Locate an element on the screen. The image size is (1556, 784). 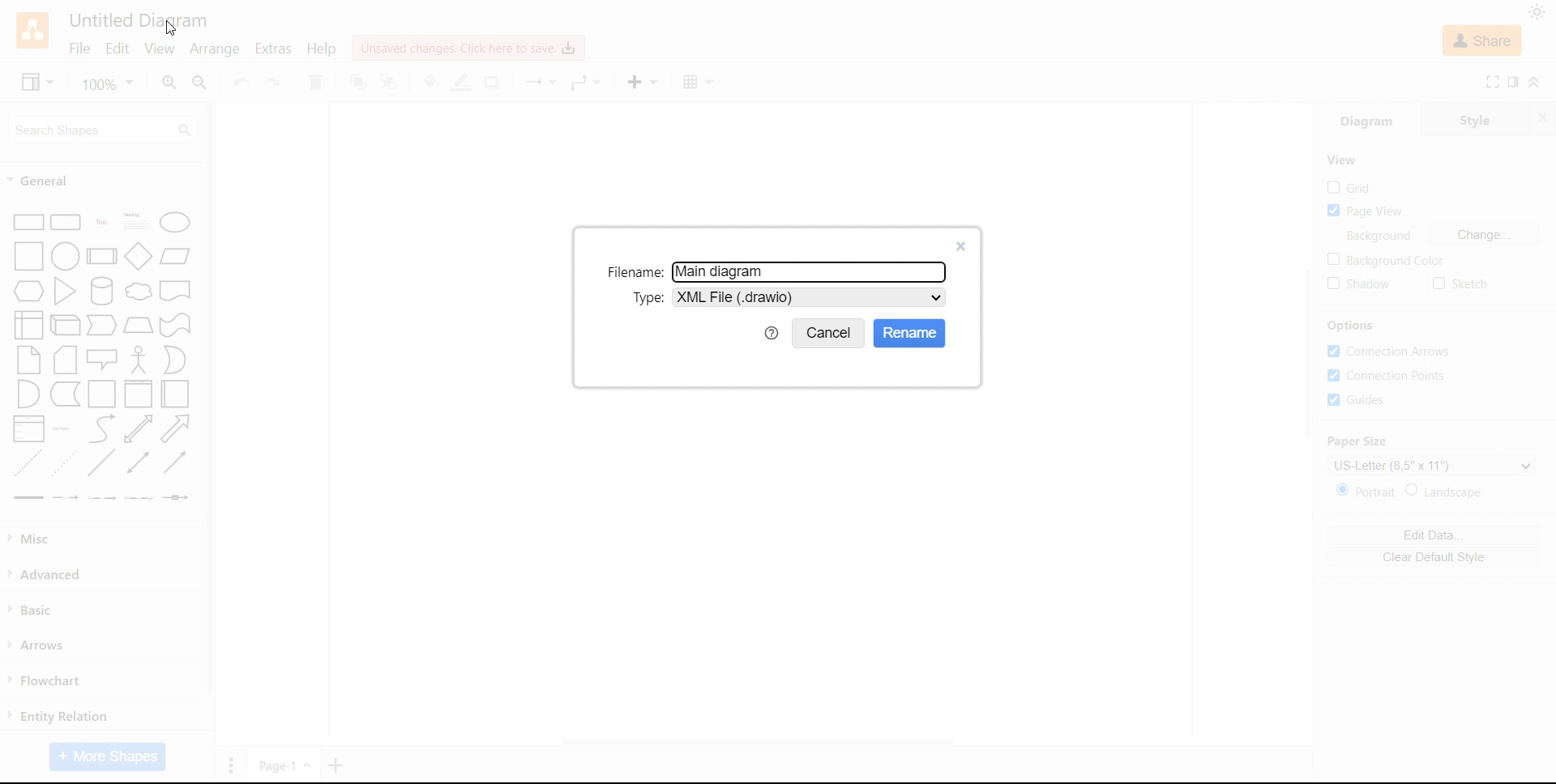
Entity relation  is located at coordinates (58, 716).